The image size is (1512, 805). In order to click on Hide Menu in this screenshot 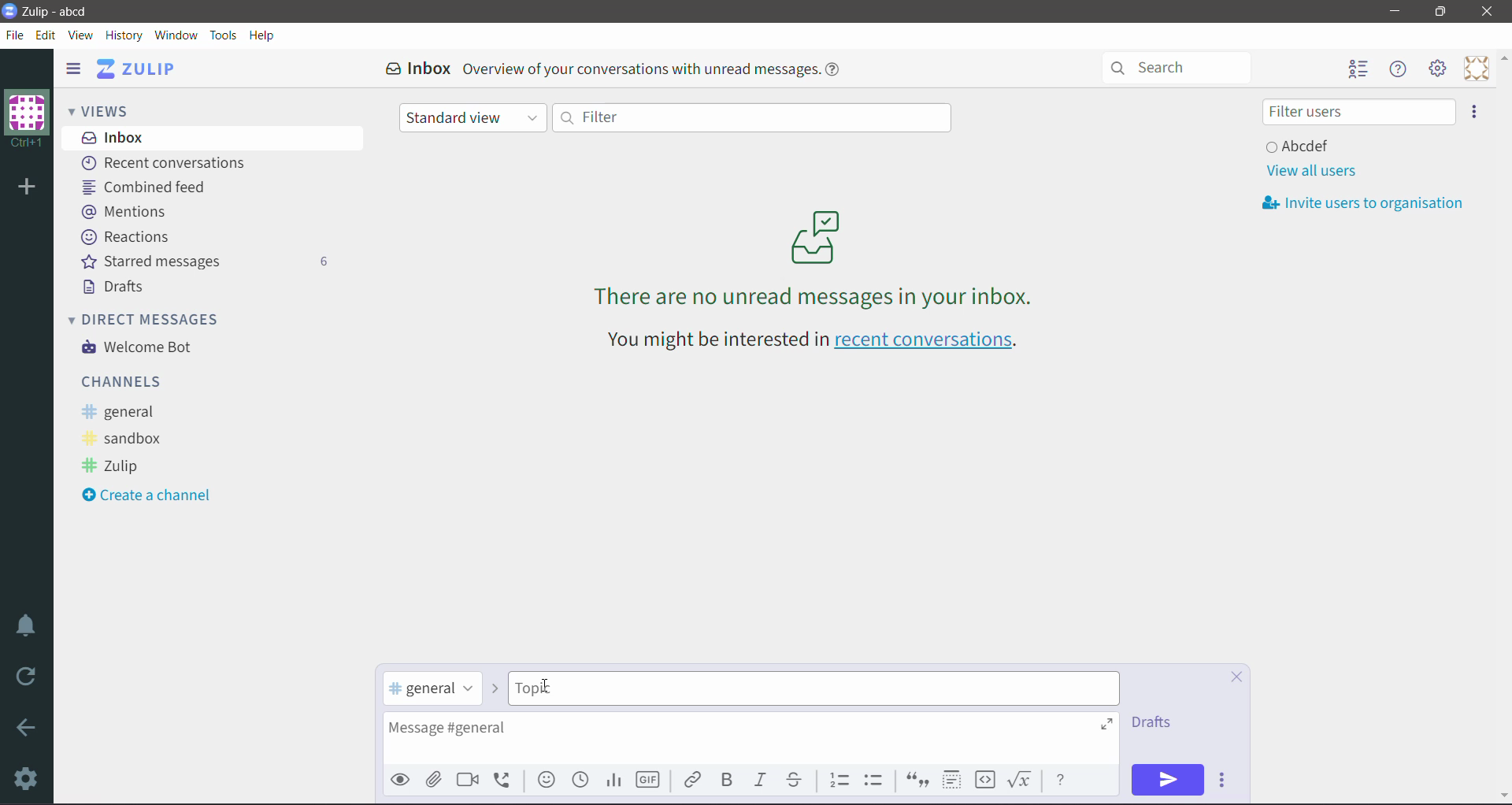, I will do `click(1399, 69)`.